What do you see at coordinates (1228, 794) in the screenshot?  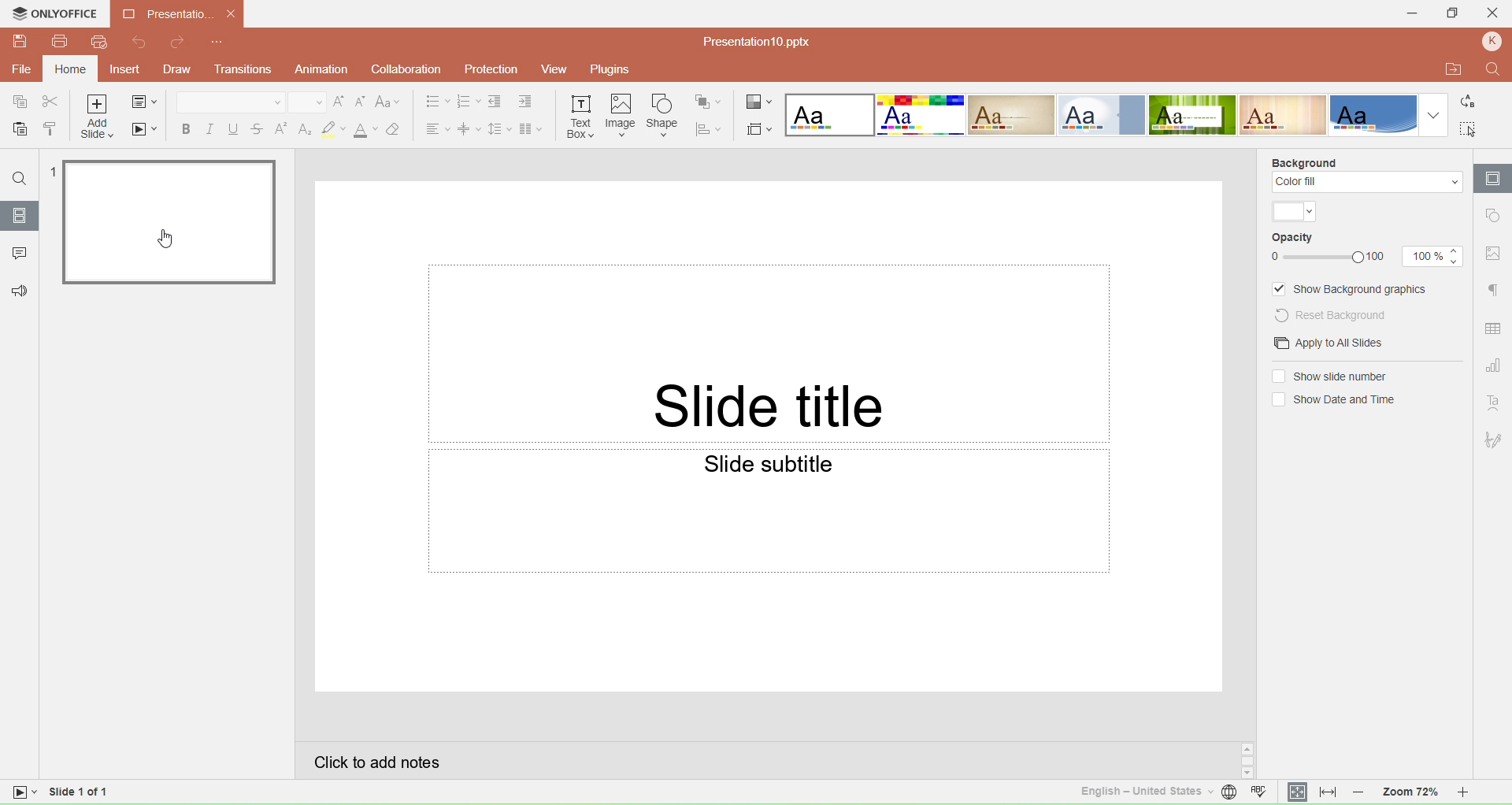 I see `Set document language` at bounding box center [1228, 794].